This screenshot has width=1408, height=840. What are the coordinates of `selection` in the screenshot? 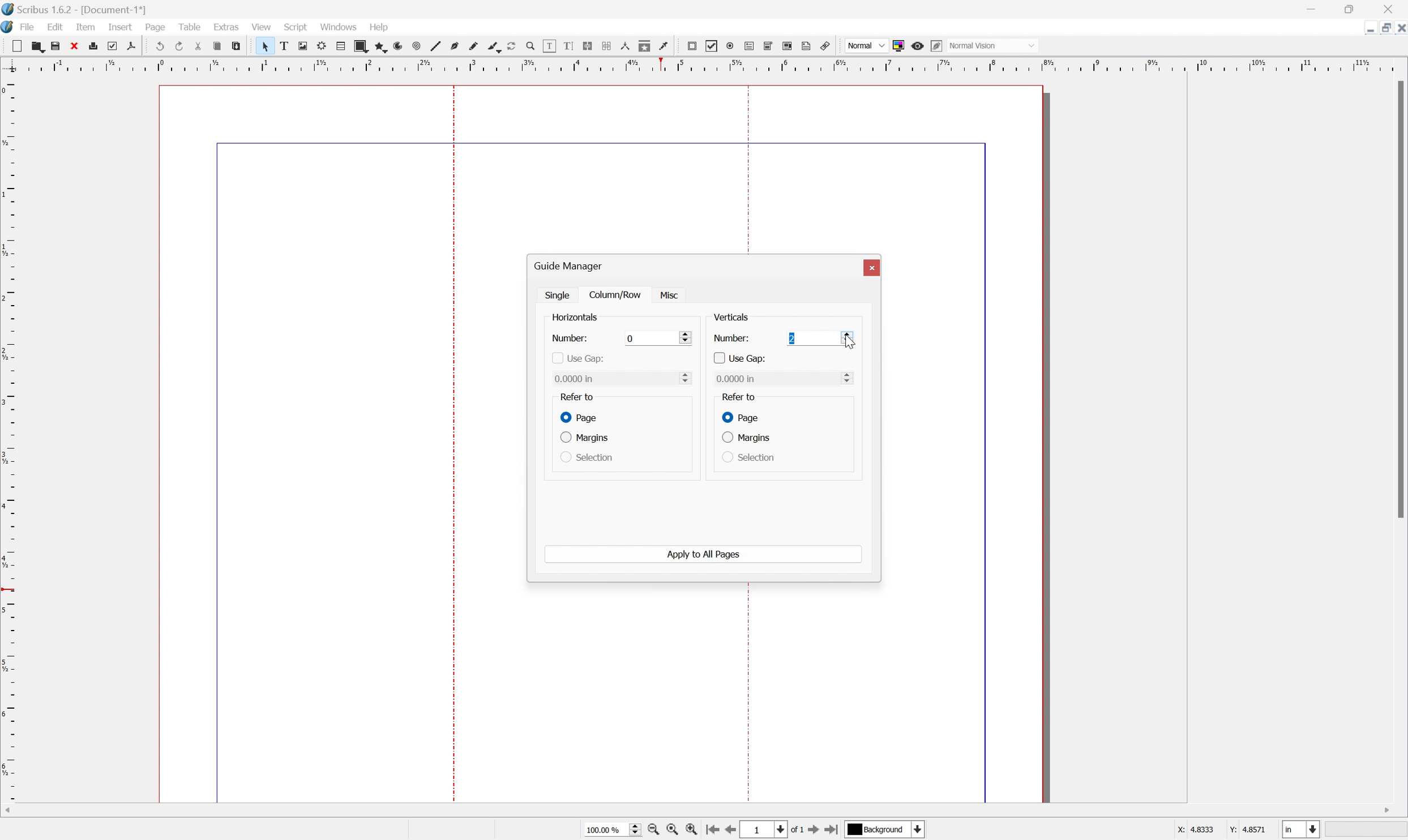 It's located at (748, 456).